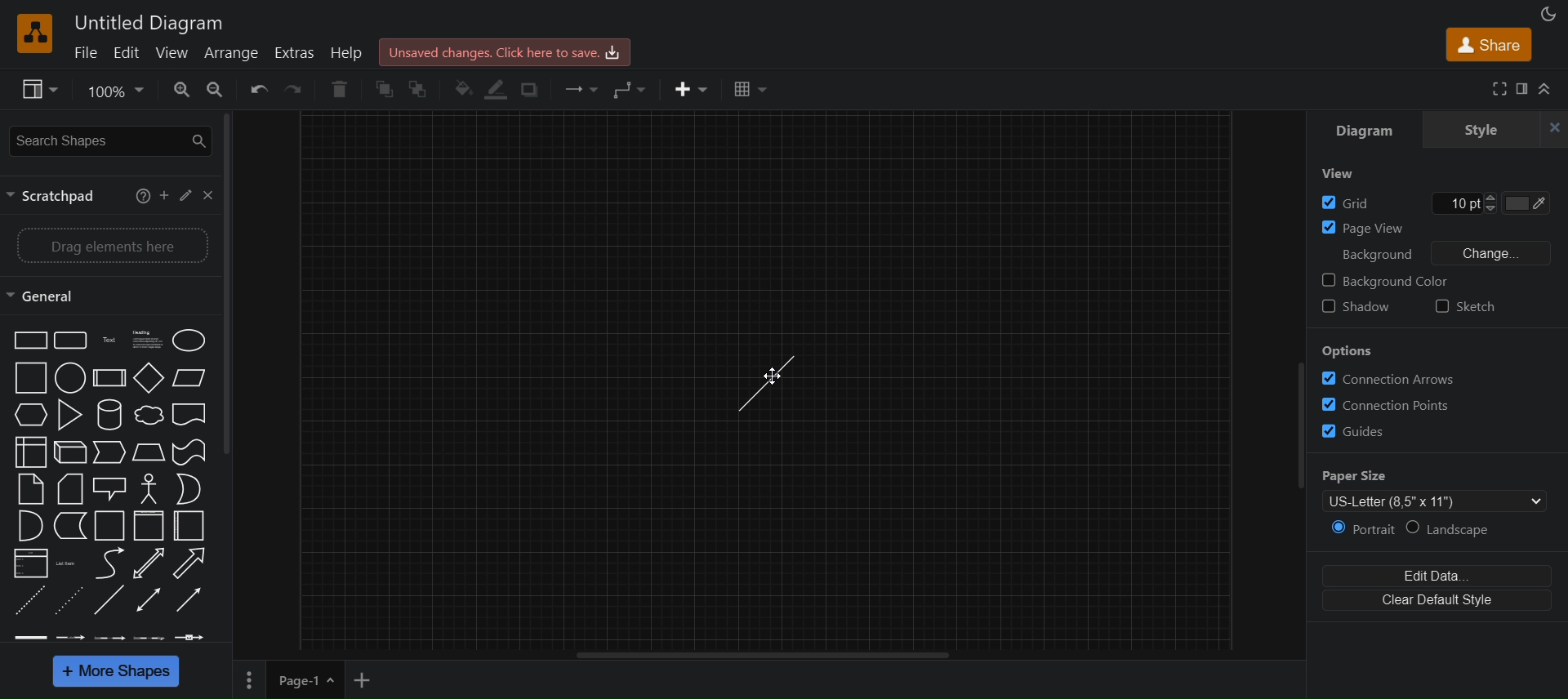 Image resolution: width=1568 pixels, height=699 pixels. Describe the element at coordinates (29, 377) in the screenshot. I see `Square` at that location.